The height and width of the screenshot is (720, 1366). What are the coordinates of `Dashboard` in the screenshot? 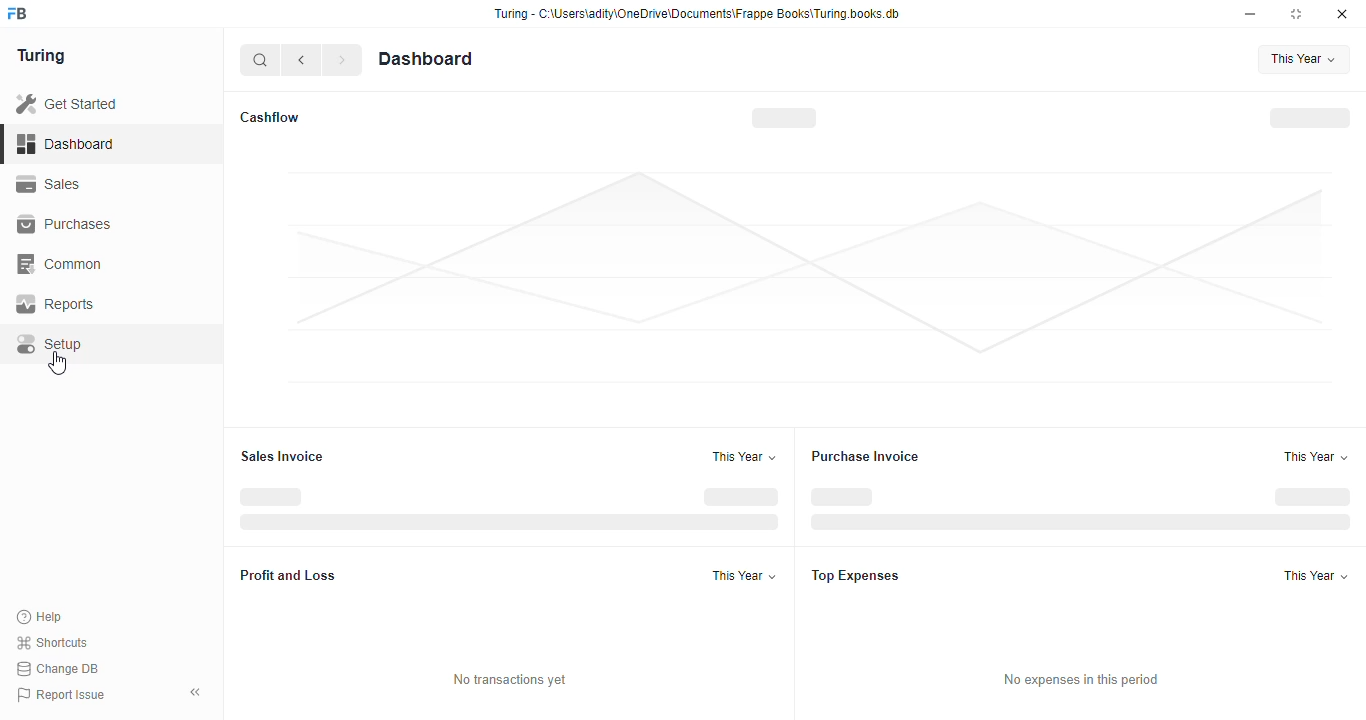 It's located at (427, 59).